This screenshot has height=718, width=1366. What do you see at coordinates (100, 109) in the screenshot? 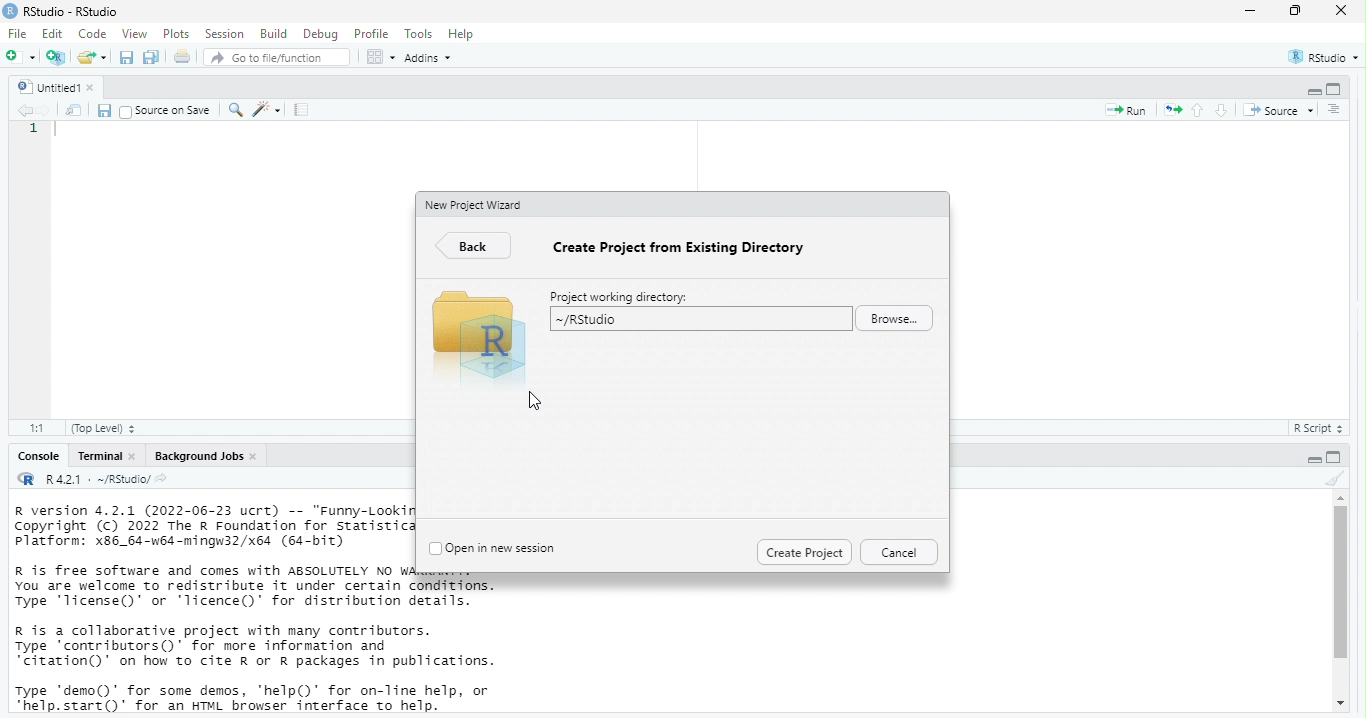
I see `save current document` at bounding box center [100, 109].